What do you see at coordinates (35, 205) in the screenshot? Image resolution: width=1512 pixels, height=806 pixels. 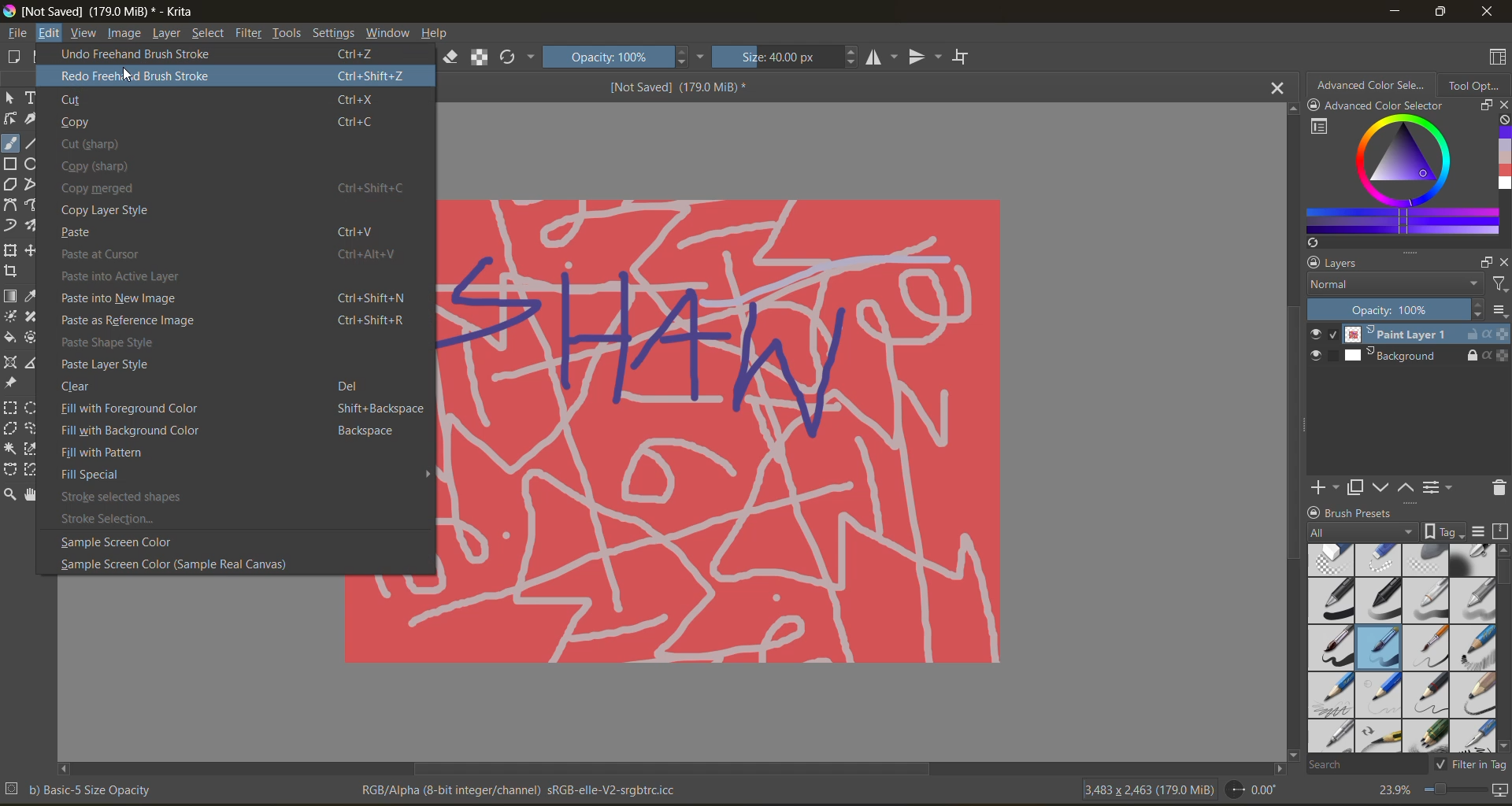 I see `freehand path tool` at bounding box center [35, 205].